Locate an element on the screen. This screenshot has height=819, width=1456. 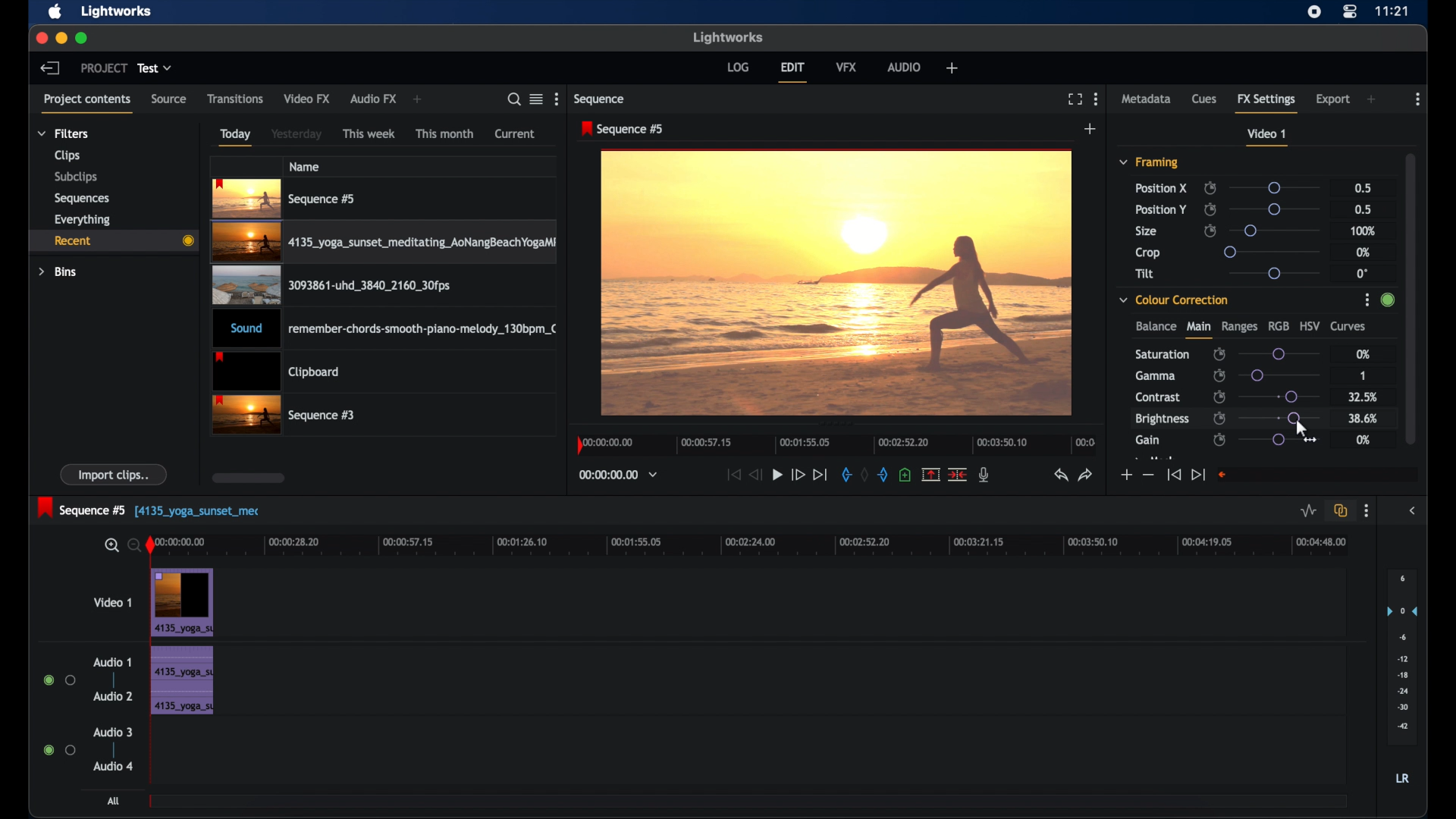
back is located at coordinates (49, 67).